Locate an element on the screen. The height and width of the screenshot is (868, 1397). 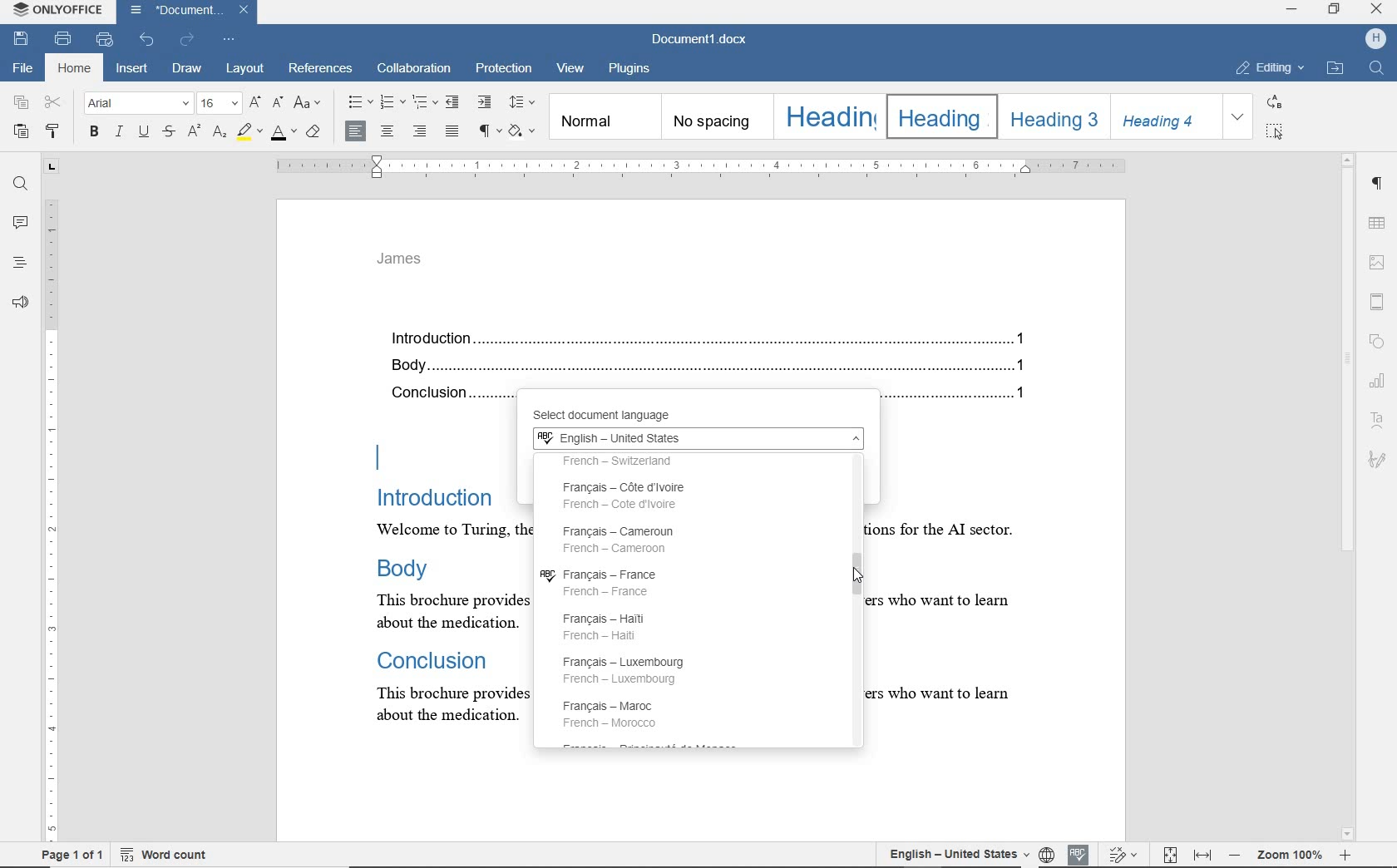
MINIMIZE is located at coordinates (1292, 12).